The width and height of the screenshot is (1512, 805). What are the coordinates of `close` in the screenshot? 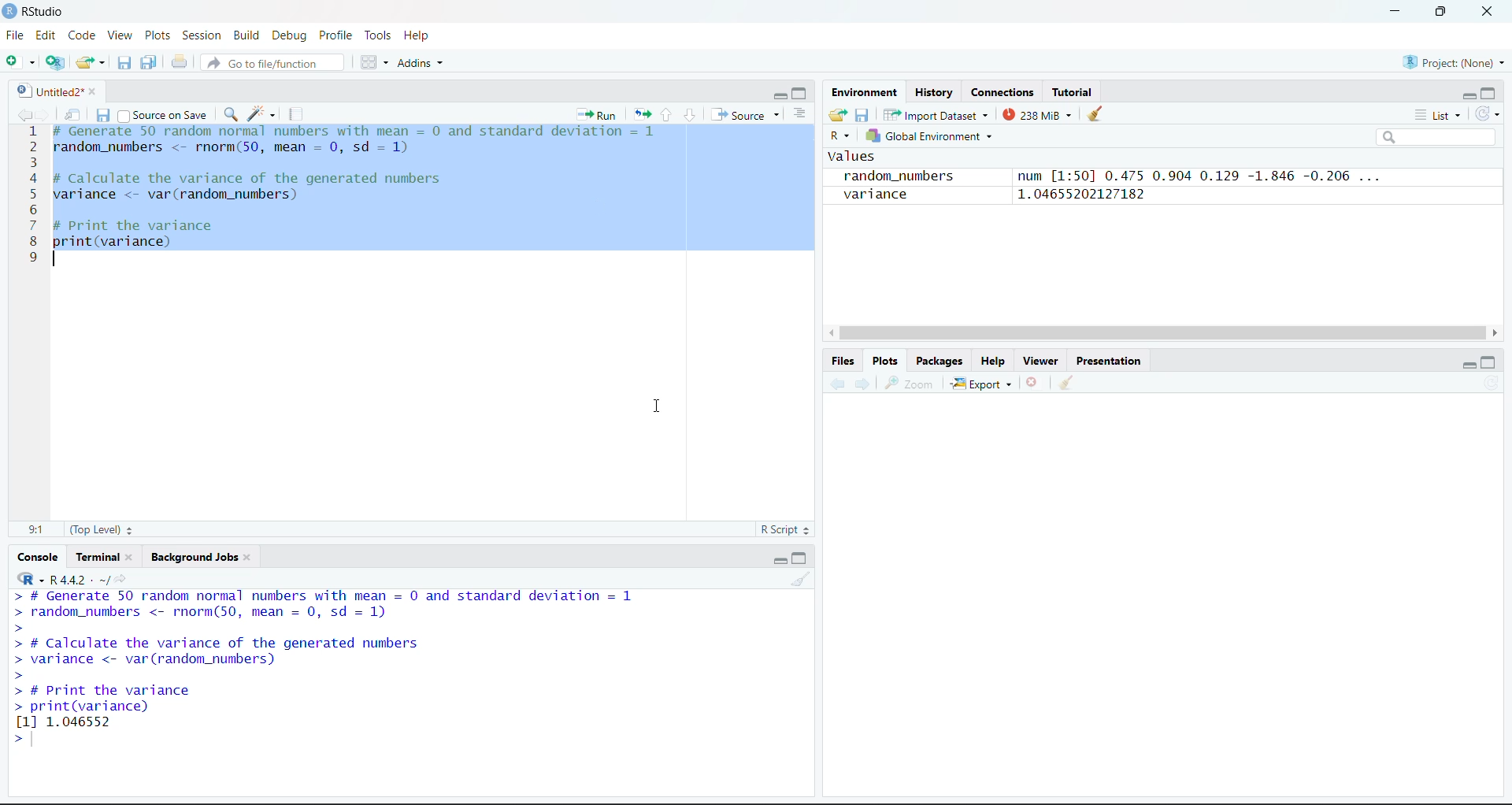 It's located at (134, 557).